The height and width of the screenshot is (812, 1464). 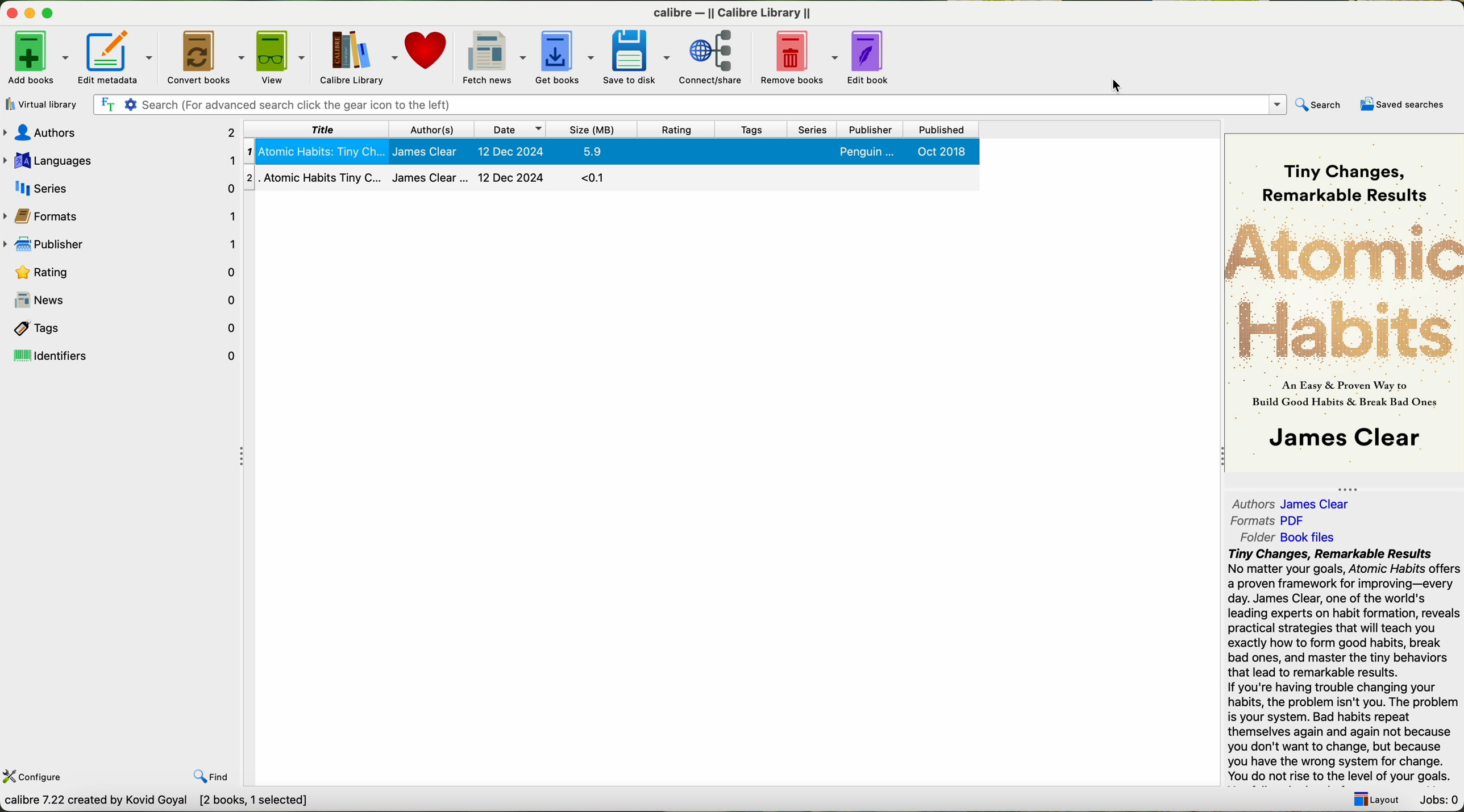 I want to click on publisher, so click(x=864, y=127).